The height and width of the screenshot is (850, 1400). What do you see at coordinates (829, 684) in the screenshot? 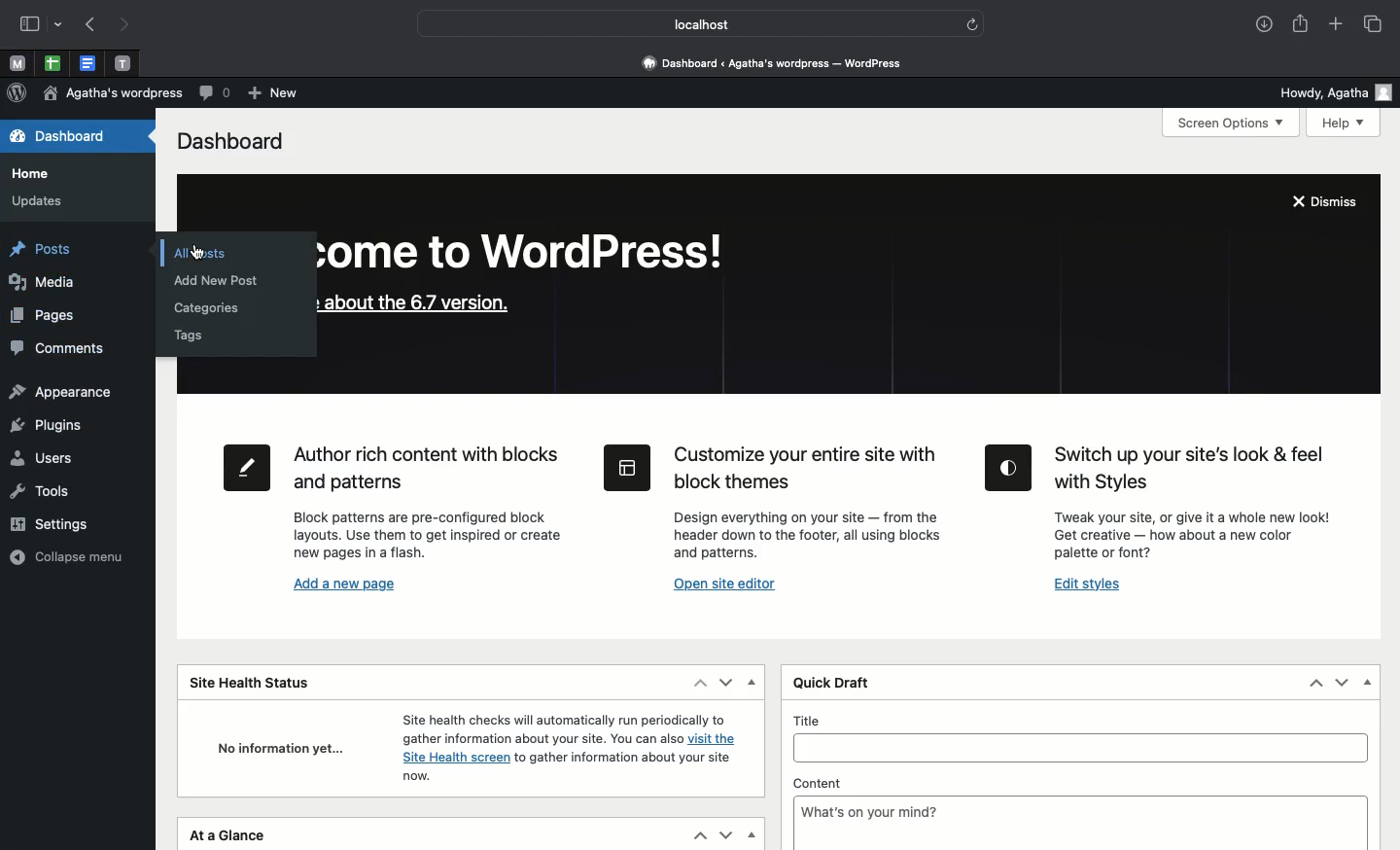
I see `Quick draft` at bounding box center [829, 684].